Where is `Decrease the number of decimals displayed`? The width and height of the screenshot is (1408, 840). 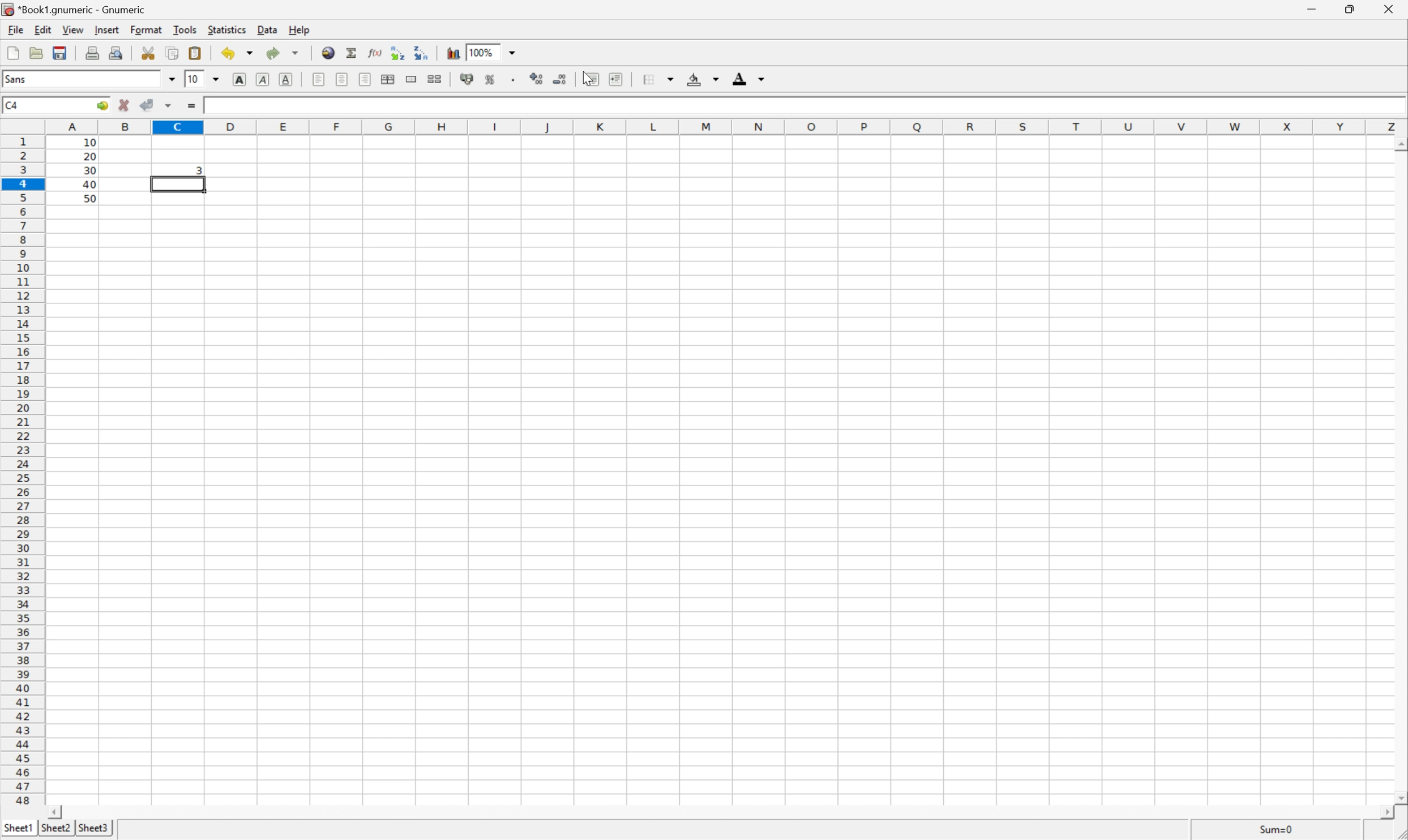
Decrease the number of decimals displayed is located at coordinates (559, 76).